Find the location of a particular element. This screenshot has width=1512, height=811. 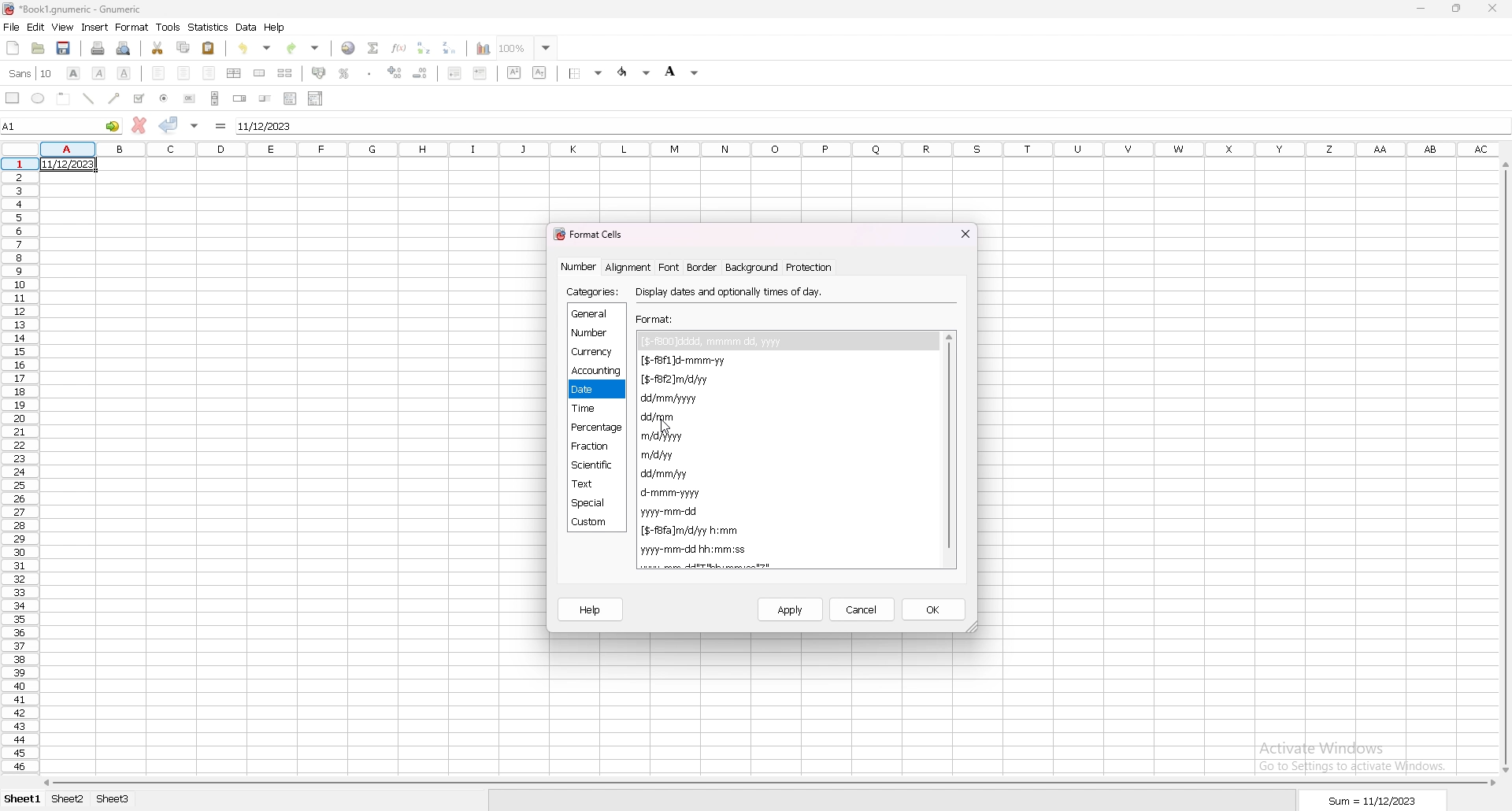

scroll bar is located at coordinates (947, 449).